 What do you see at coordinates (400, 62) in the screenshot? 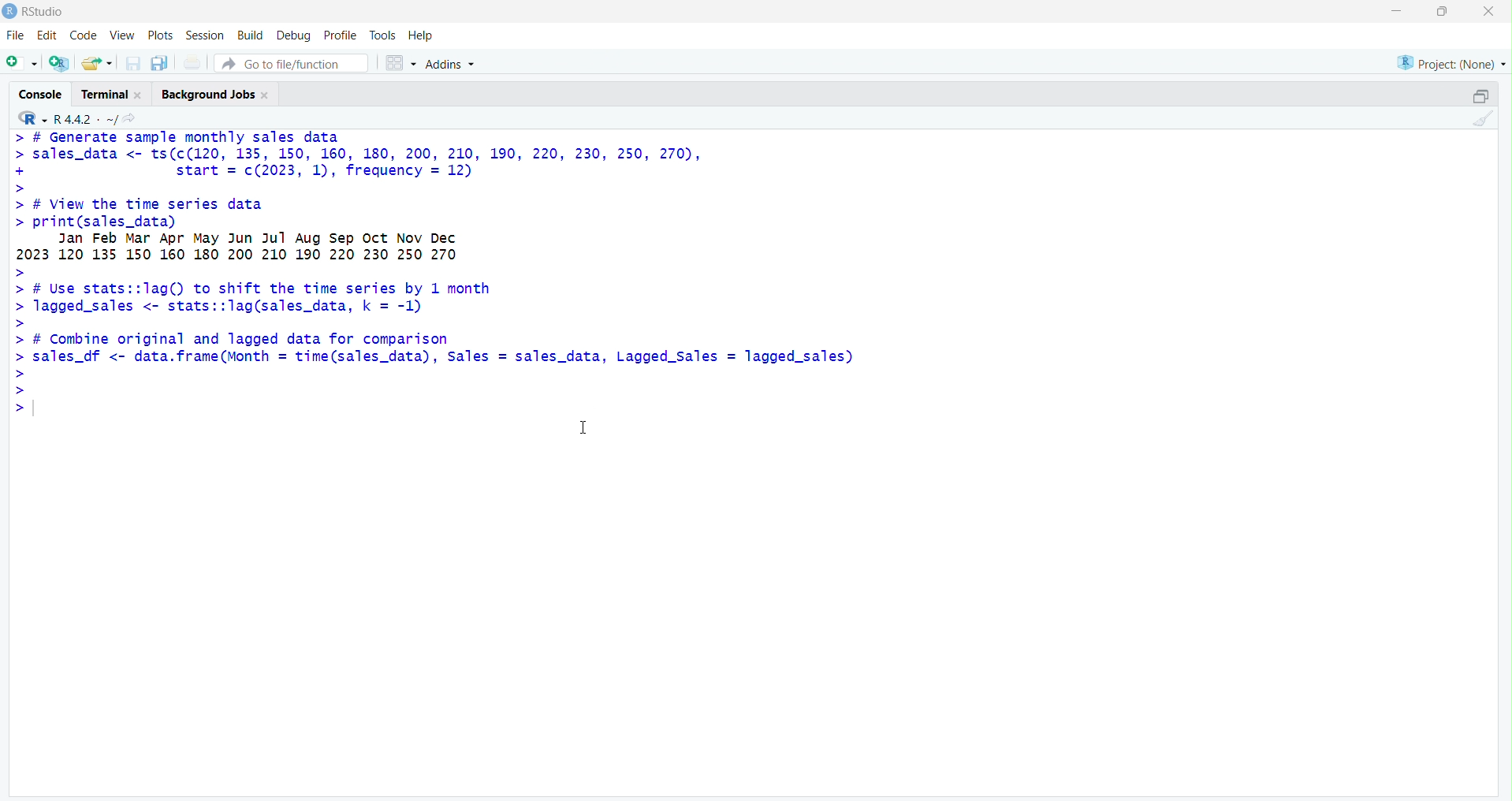
I see `workspace panes` at bounding box center [400, 62].